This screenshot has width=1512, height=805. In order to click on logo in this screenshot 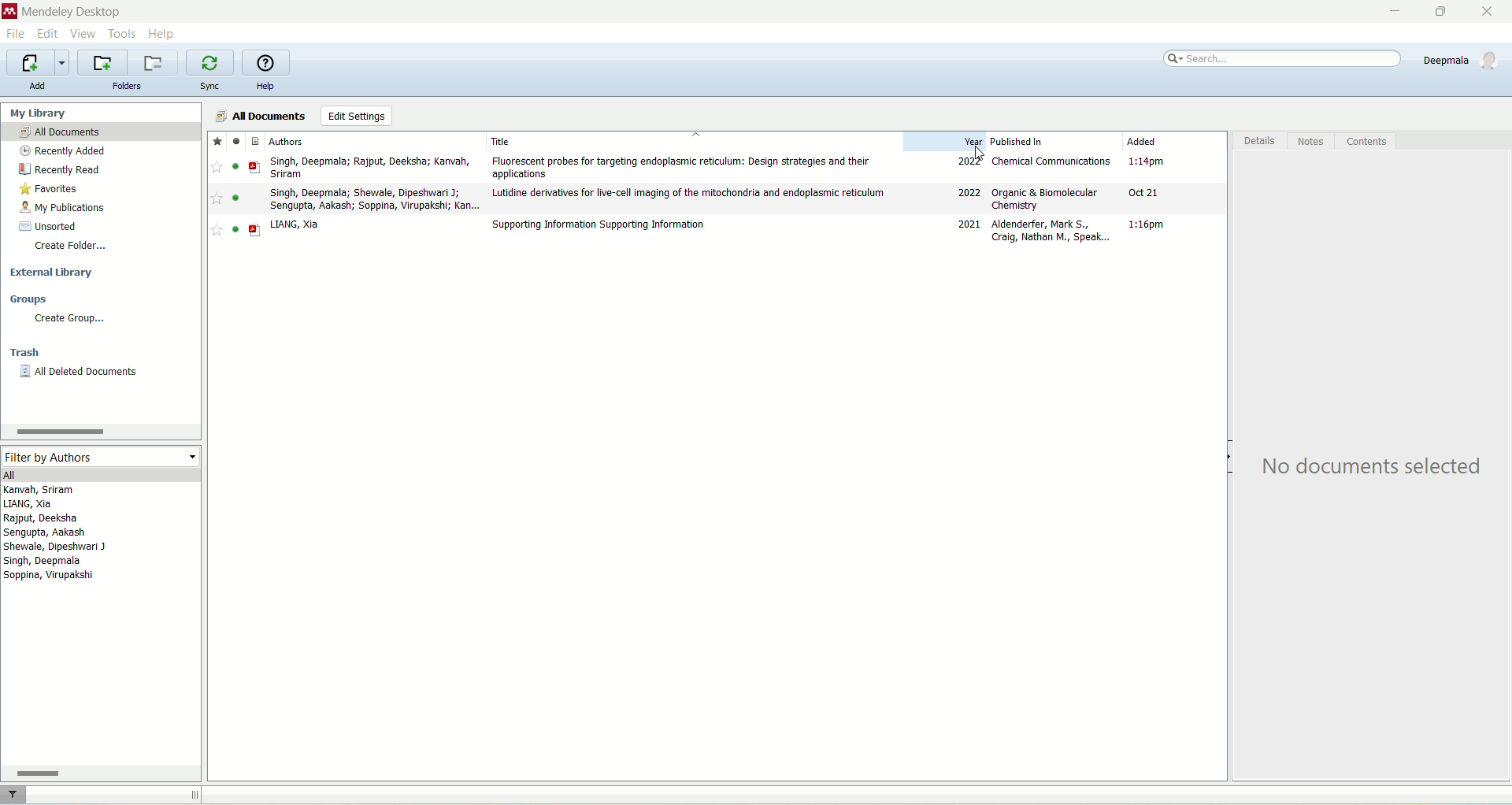, I will do `click(9, 12)`.